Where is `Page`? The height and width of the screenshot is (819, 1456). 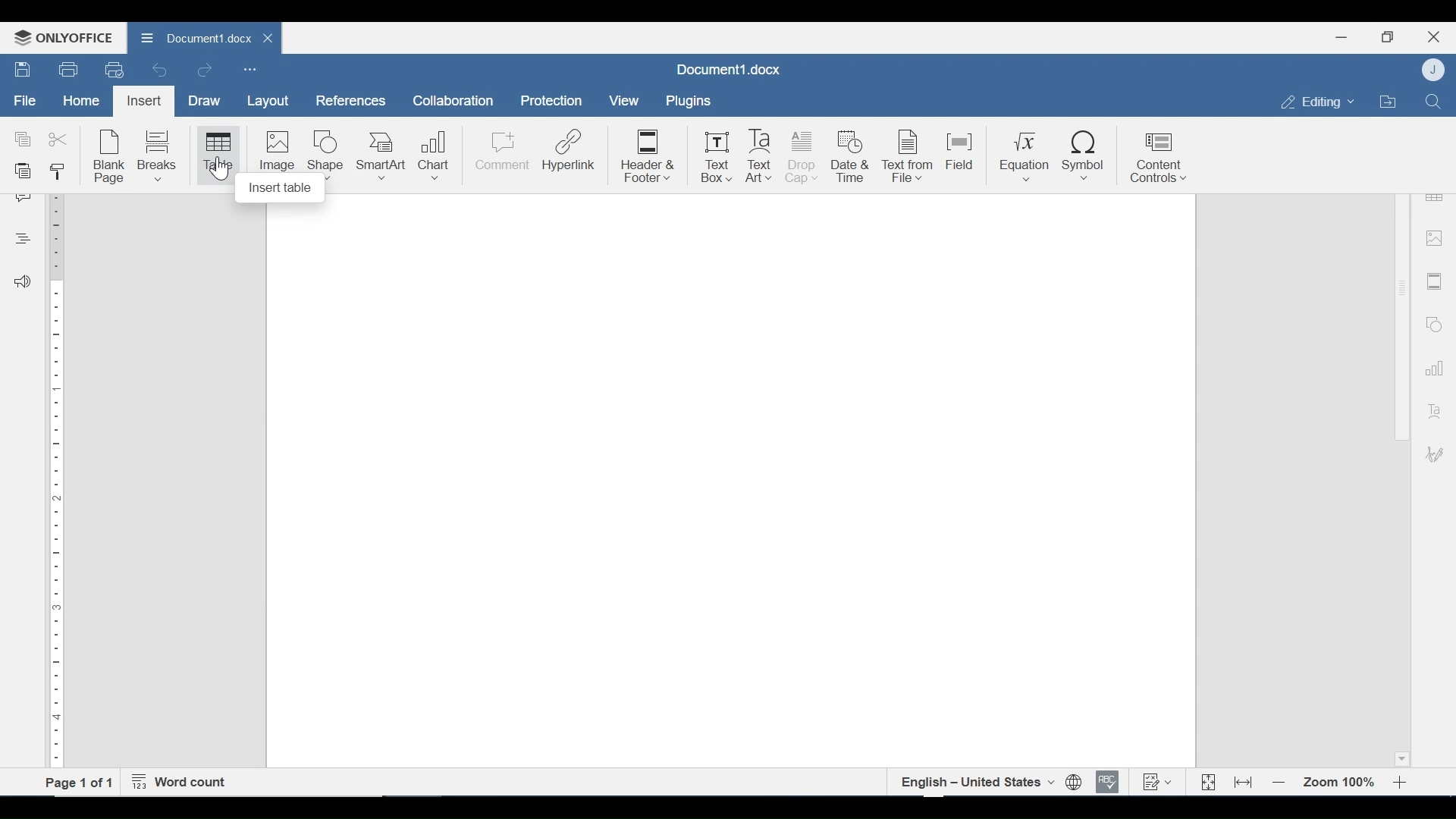 Page is located at coordinates (730, 487).